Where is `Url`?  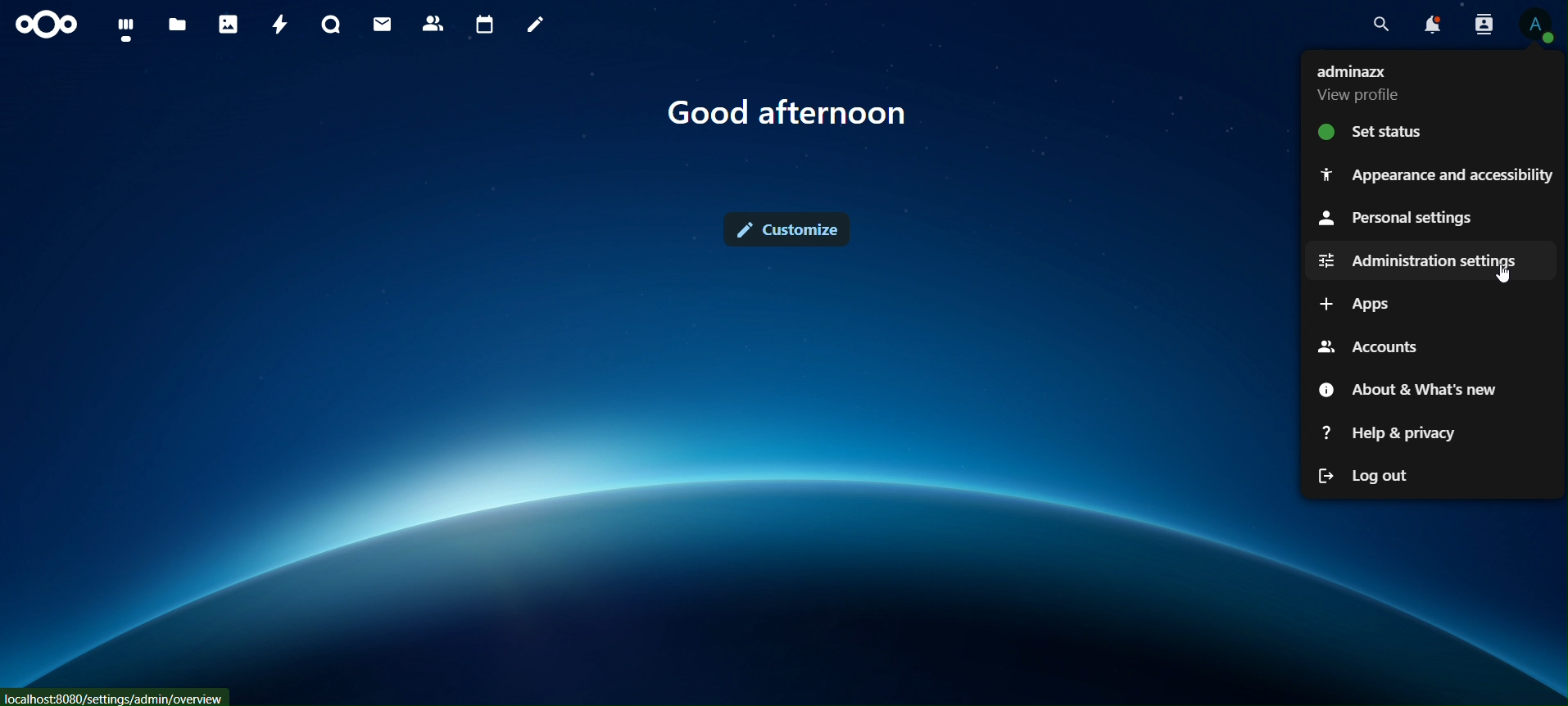
Url is located at coordinates (116, 696).